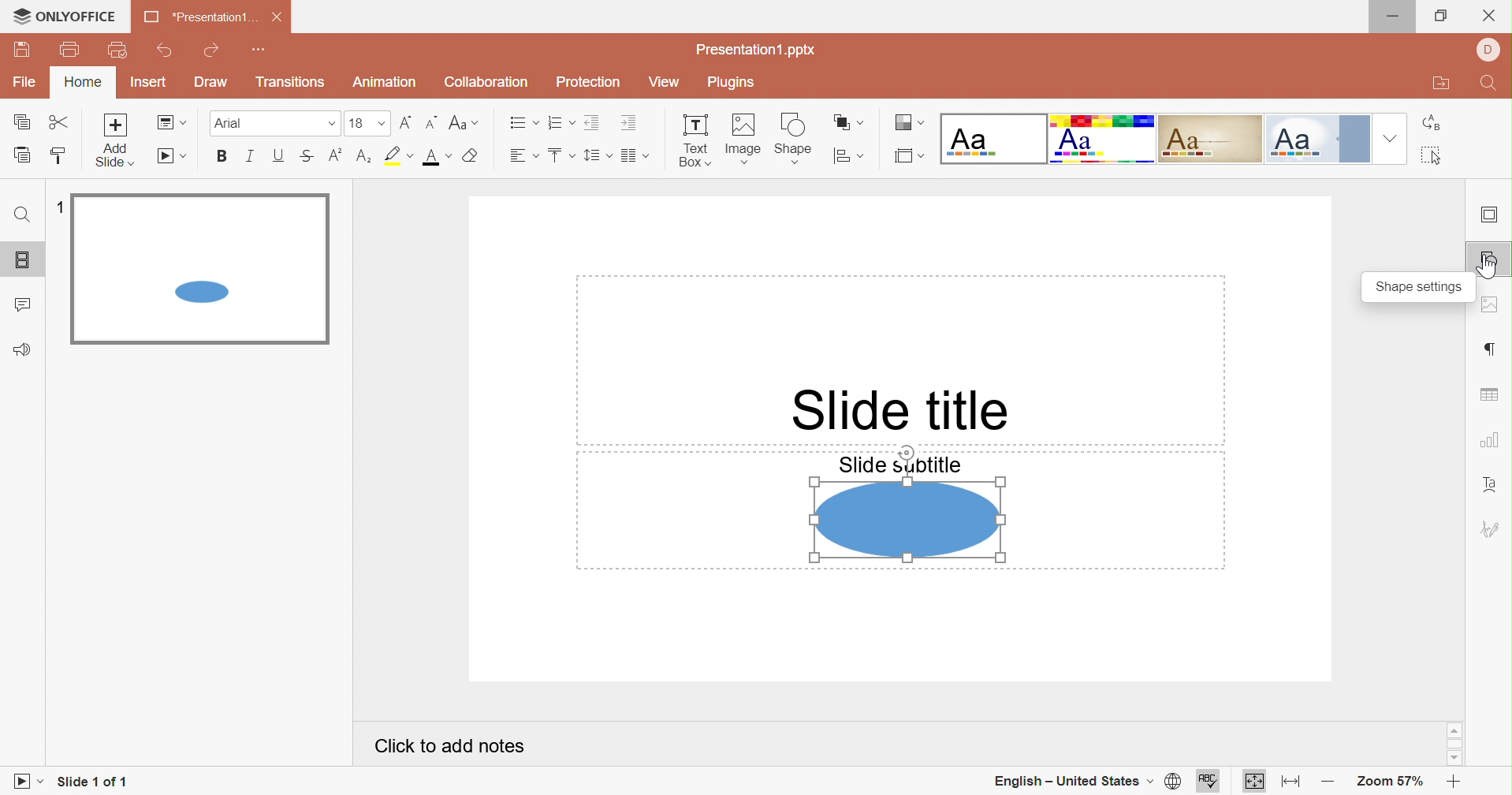 The image size is (1512, 795). Describe the element at coordinates (665, 84) in the screenshot. I see `View` at that location.